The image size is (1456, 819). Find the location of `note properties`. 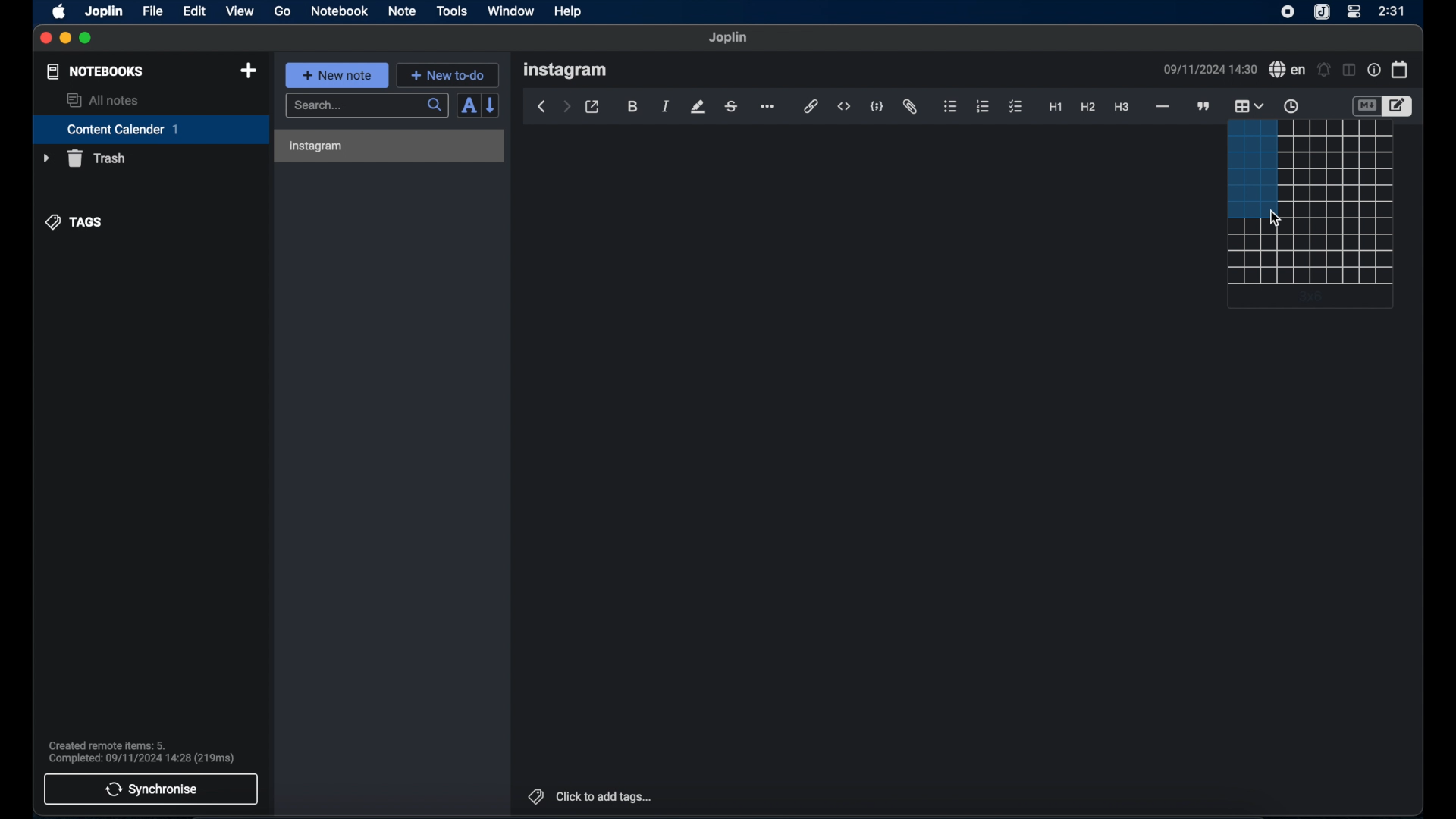

note properties is located at coordinates (1374, 69).